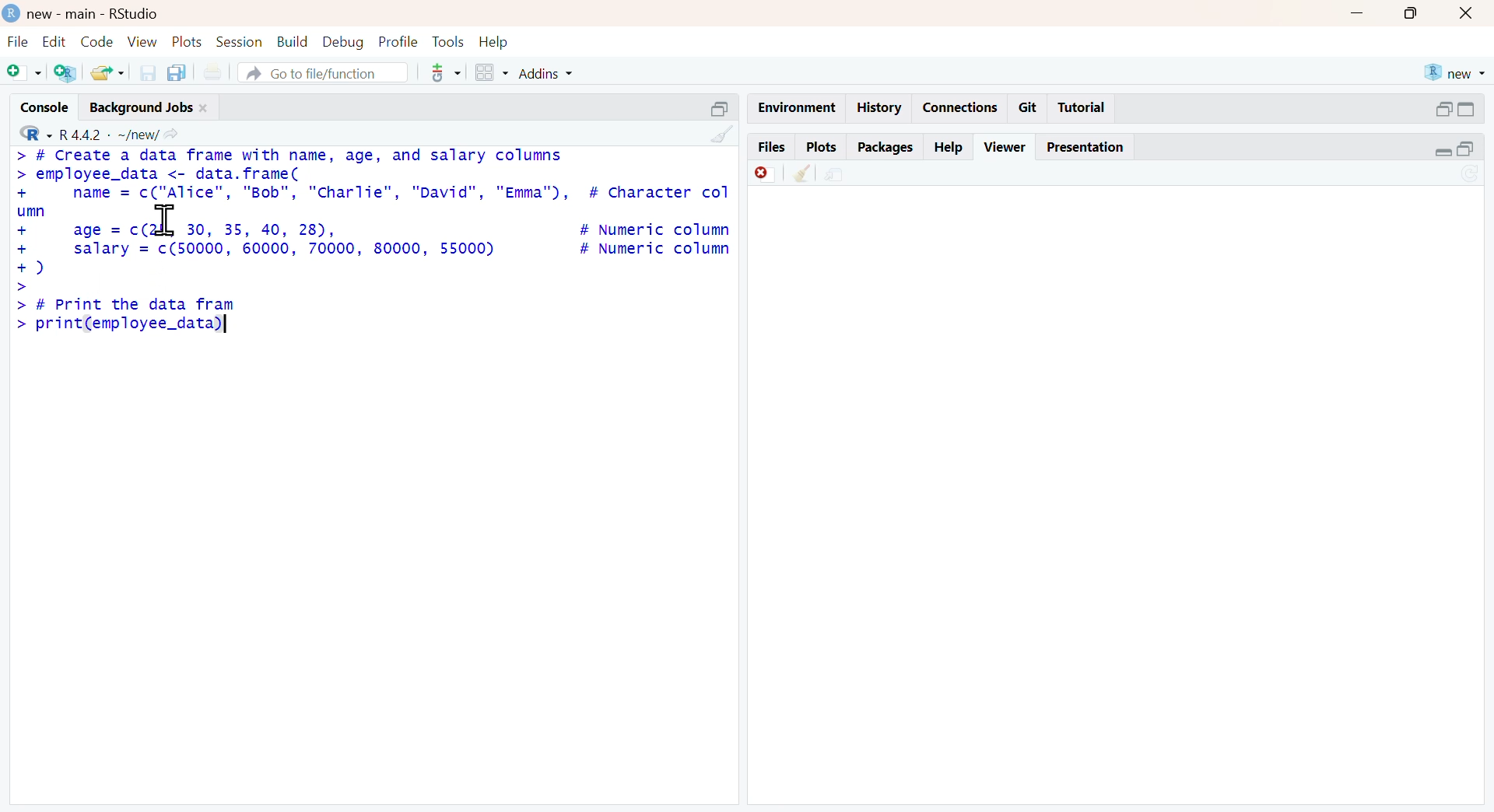  I want to click on D new - main - RStudio, so click(93, 13).